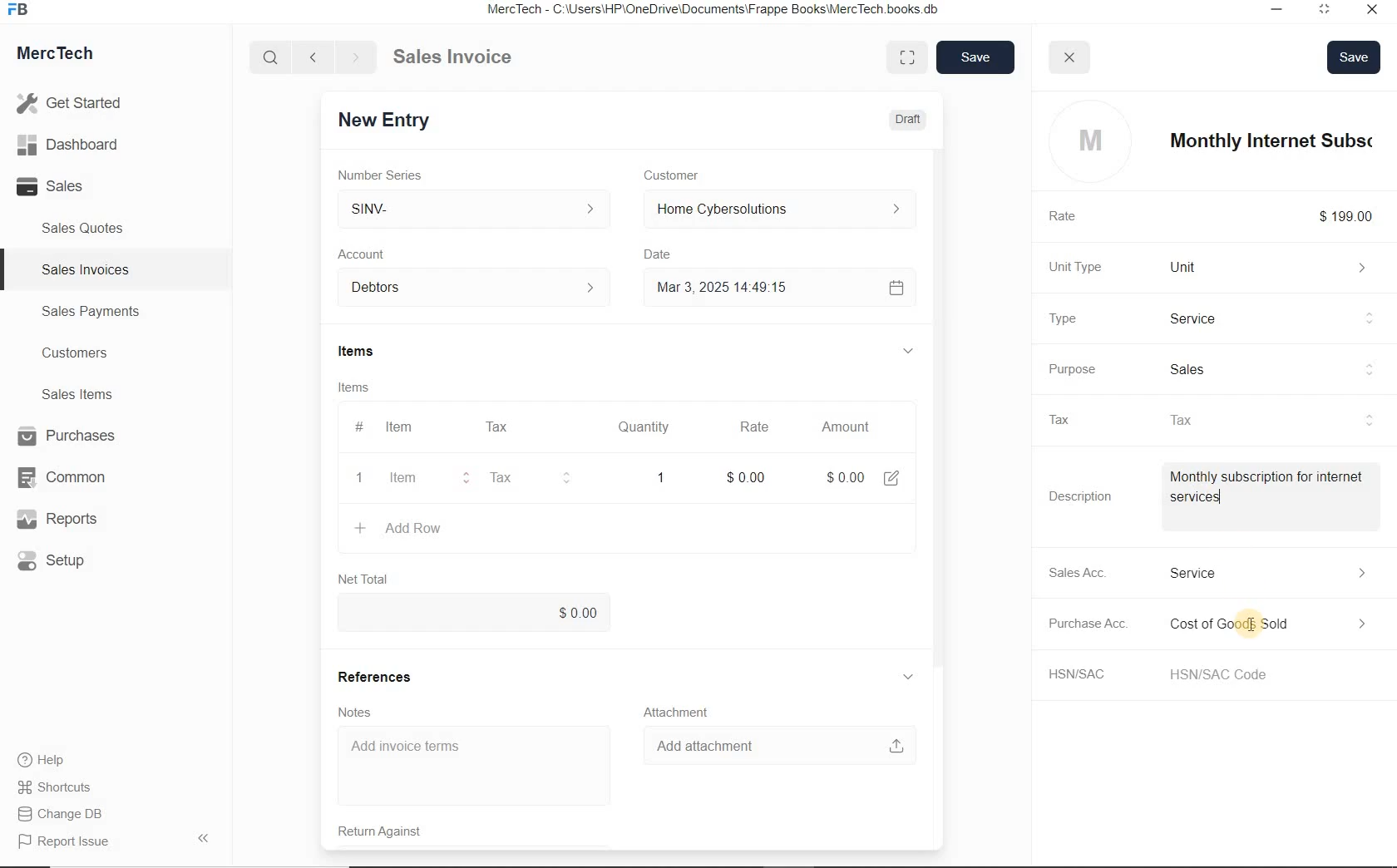  Describe the element at coordinates (909, 58) in the screenshot. I see `Toggle between form and full width` at that location.